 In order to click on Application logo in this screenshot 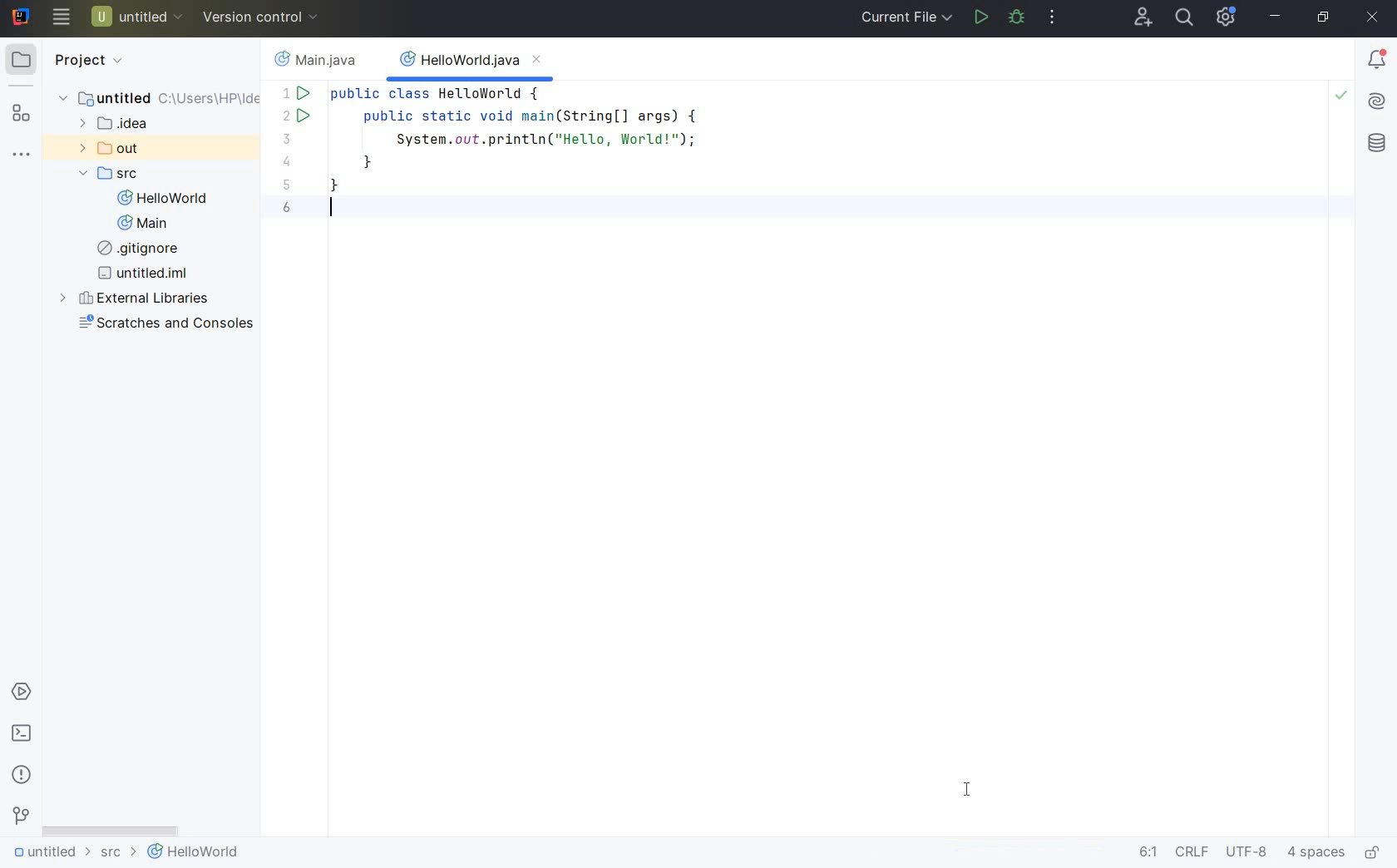, I will do `click(23, 18)`.